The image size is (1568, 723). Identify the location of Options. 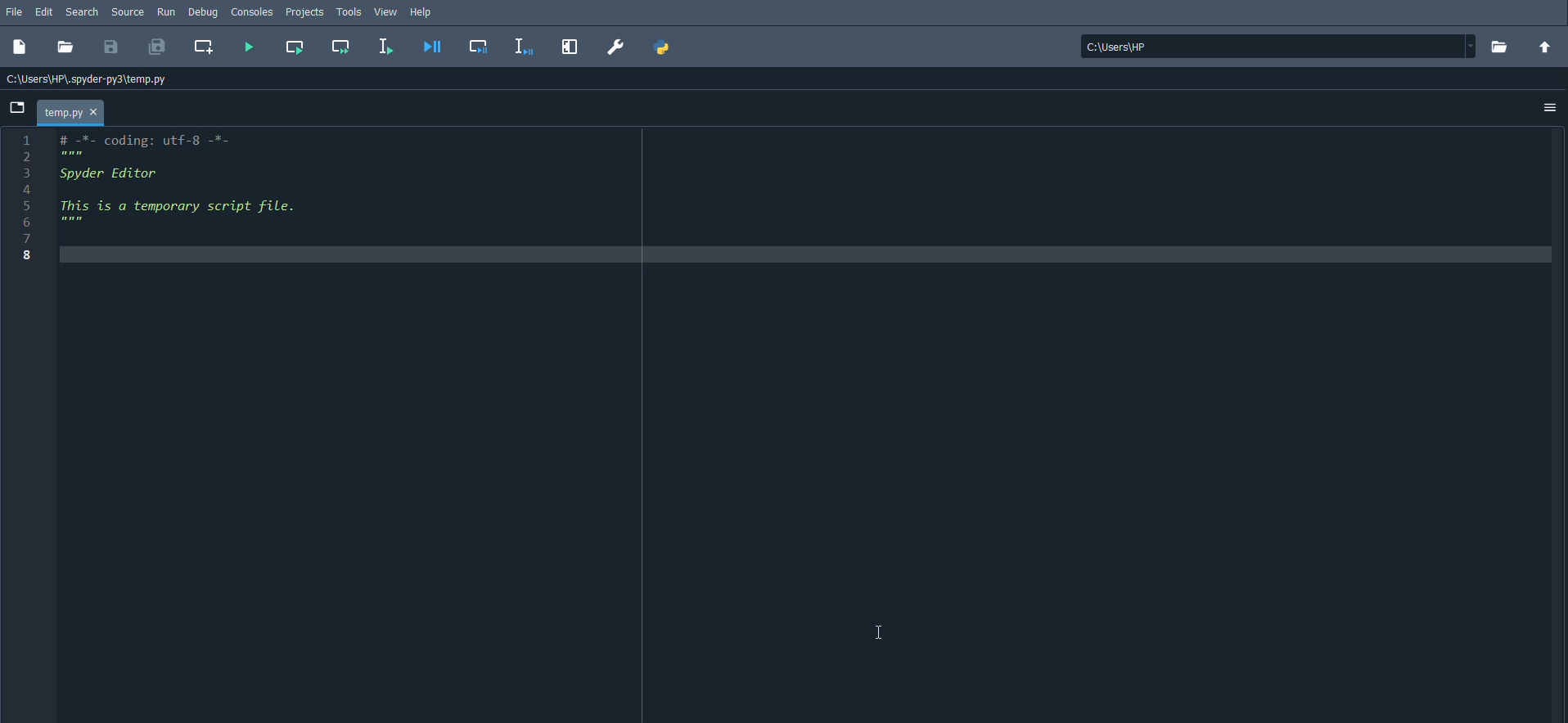
(1551, 108).